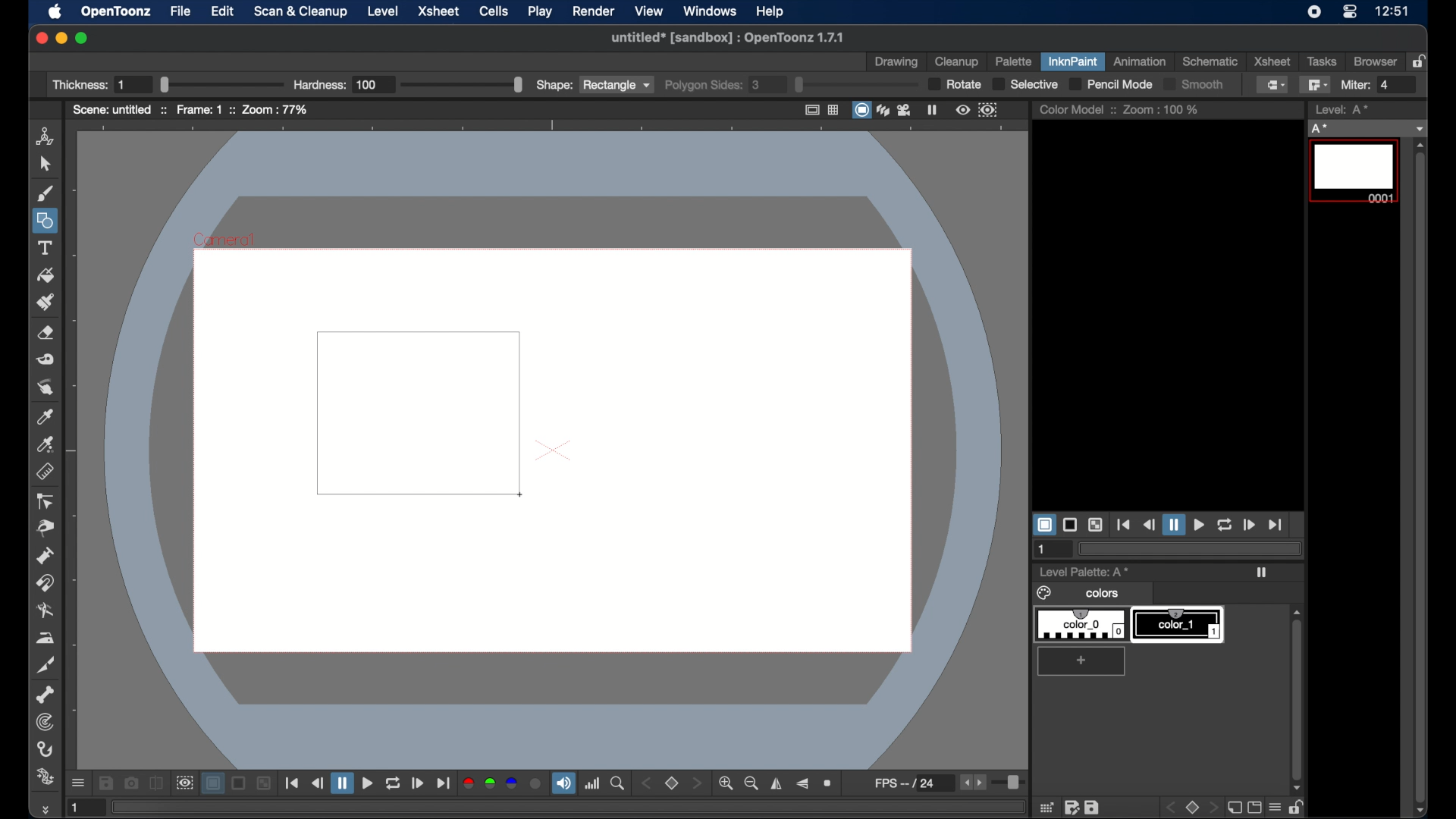 Image resolution: width=1456 pixels, height=819 pixels. Describe the element at coordinates (45, 583) in the screenshot. I see `magnet tool` at that location.